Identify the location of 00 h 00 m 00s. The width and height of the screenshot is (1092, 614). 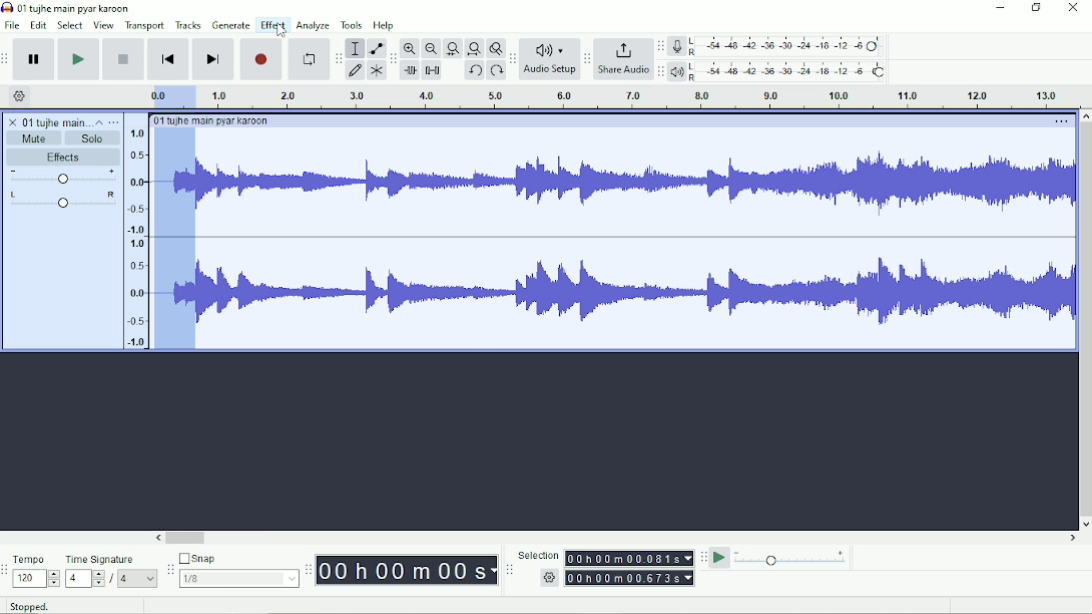
(407, 570).